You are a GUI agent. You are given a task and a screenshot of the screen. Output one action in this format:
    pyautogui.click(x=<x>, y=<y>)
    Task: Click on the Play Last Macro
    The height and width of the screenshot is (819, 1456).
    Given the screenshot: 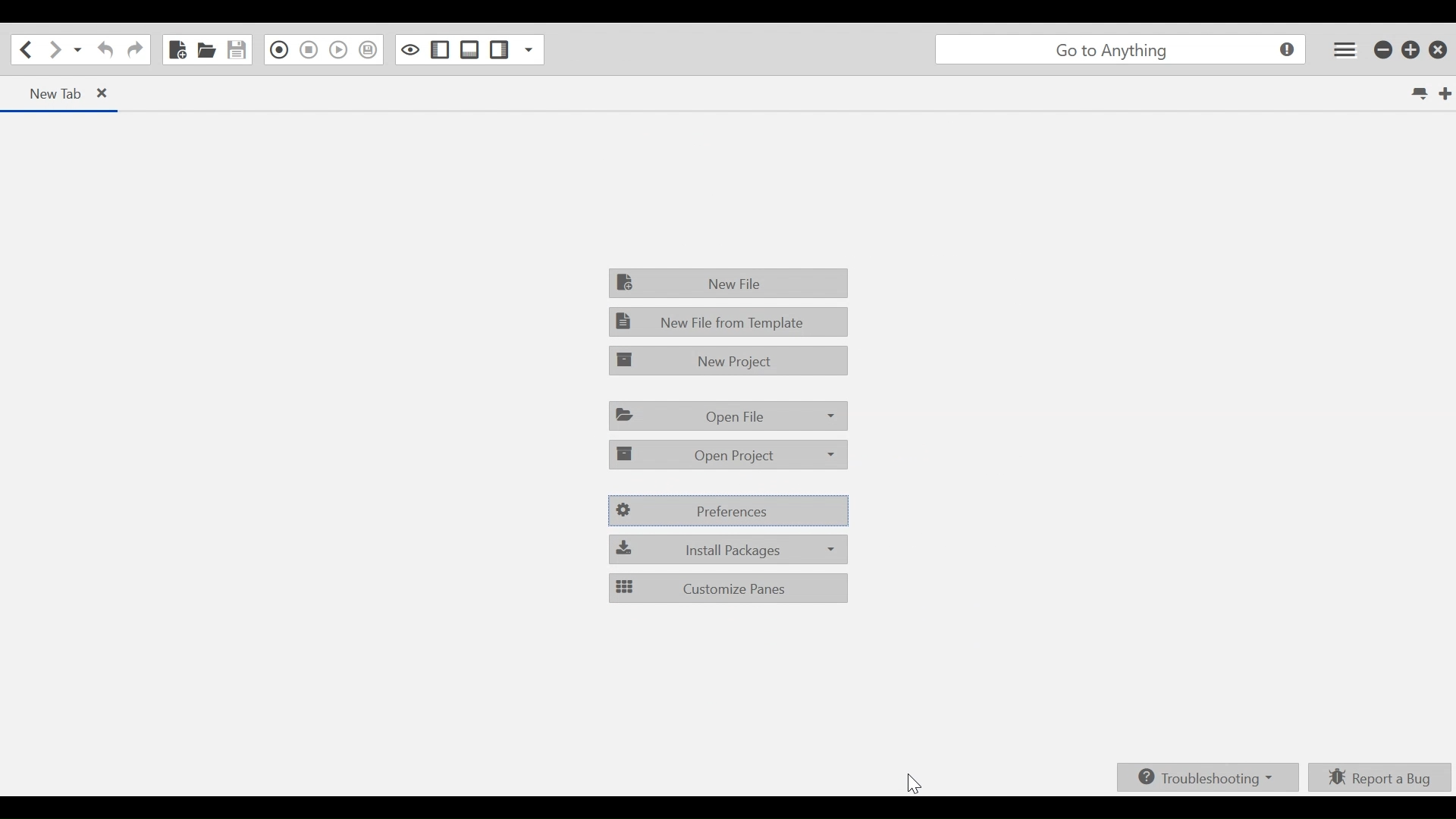 What is the action you would take?
    pyautogui.click(x=338, y=50)
    